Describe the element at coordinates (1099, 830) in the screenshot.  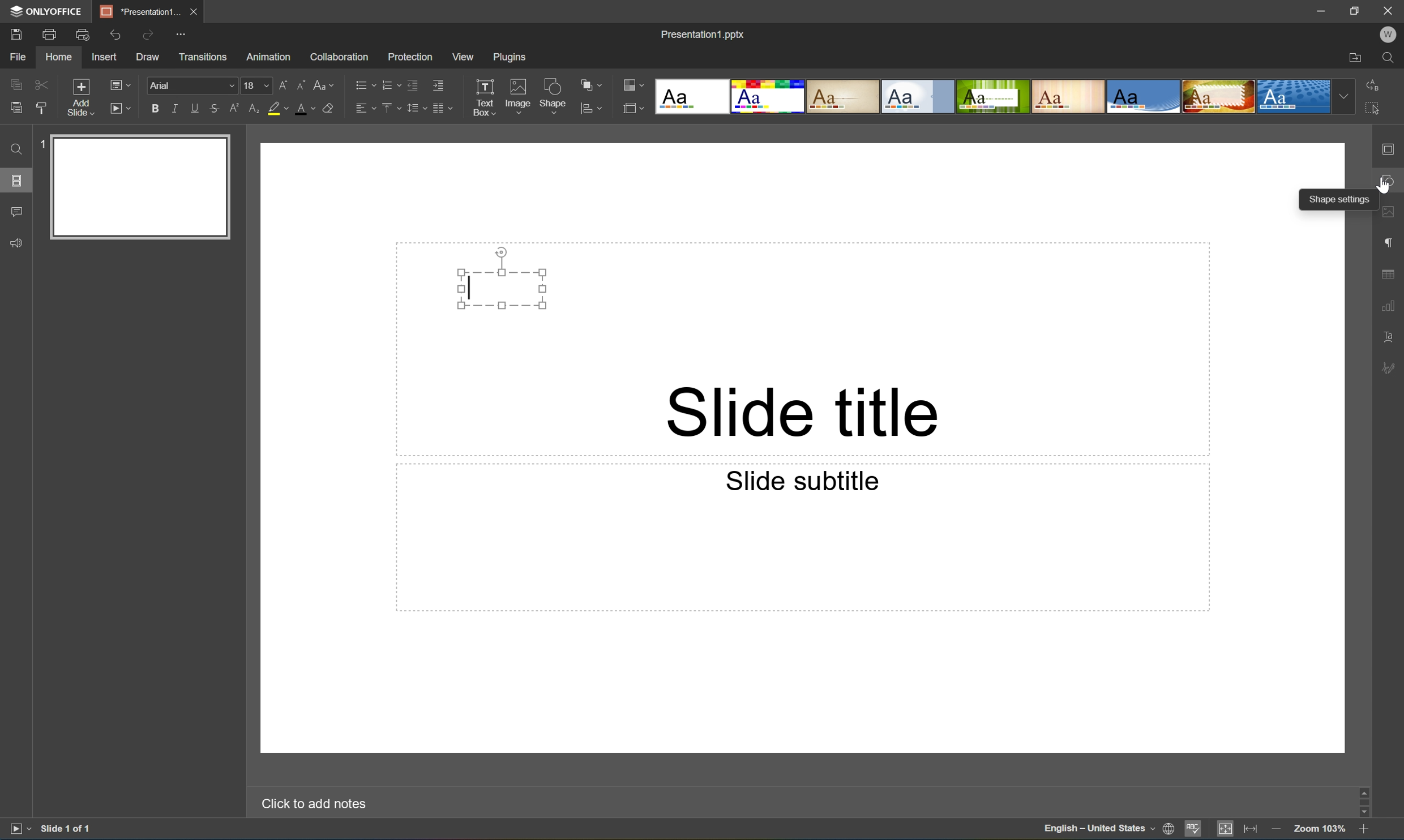
I see `English - United States` at that location.